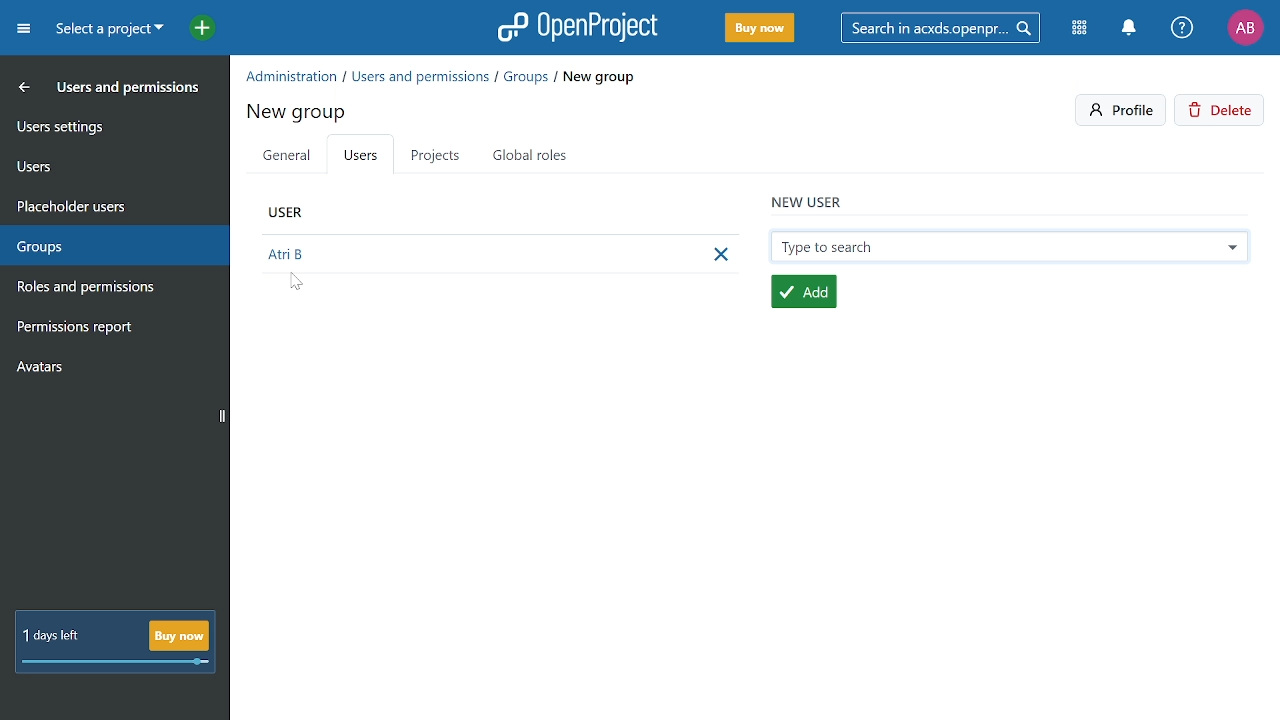 This screenshot has width=1280, height=720. What do you see at coordinates (115, 643) in the screenshot?
I see `! day left Buy now` at bounding box center [115, 643].